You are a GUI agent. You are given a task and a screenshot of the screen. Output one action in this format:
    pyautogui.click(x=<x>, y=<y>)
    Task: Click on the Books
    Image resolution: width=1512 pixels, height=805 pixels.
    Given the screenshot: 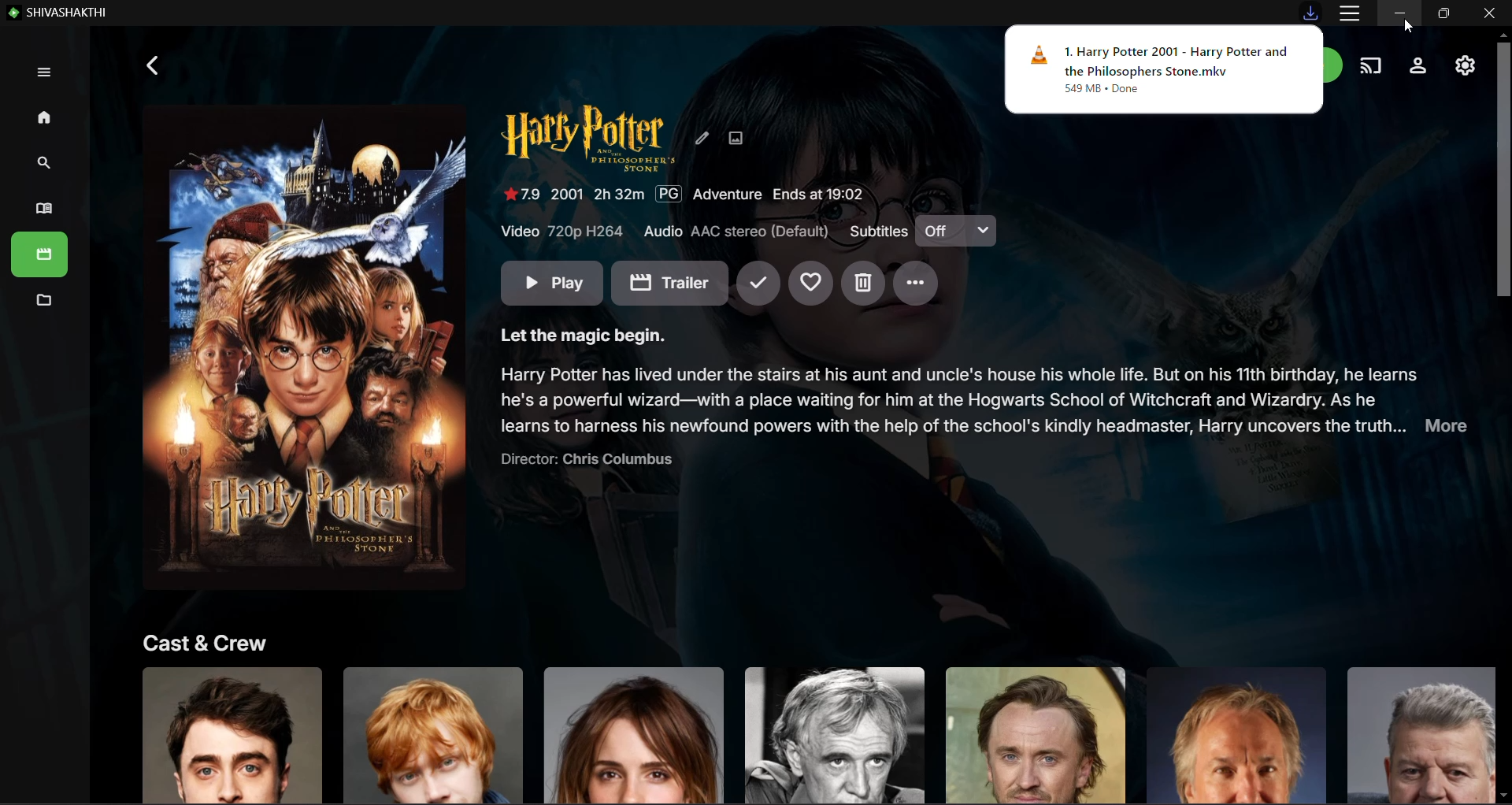 What is the action you would take?
    pyautogui.click(x=39, y=210)
    